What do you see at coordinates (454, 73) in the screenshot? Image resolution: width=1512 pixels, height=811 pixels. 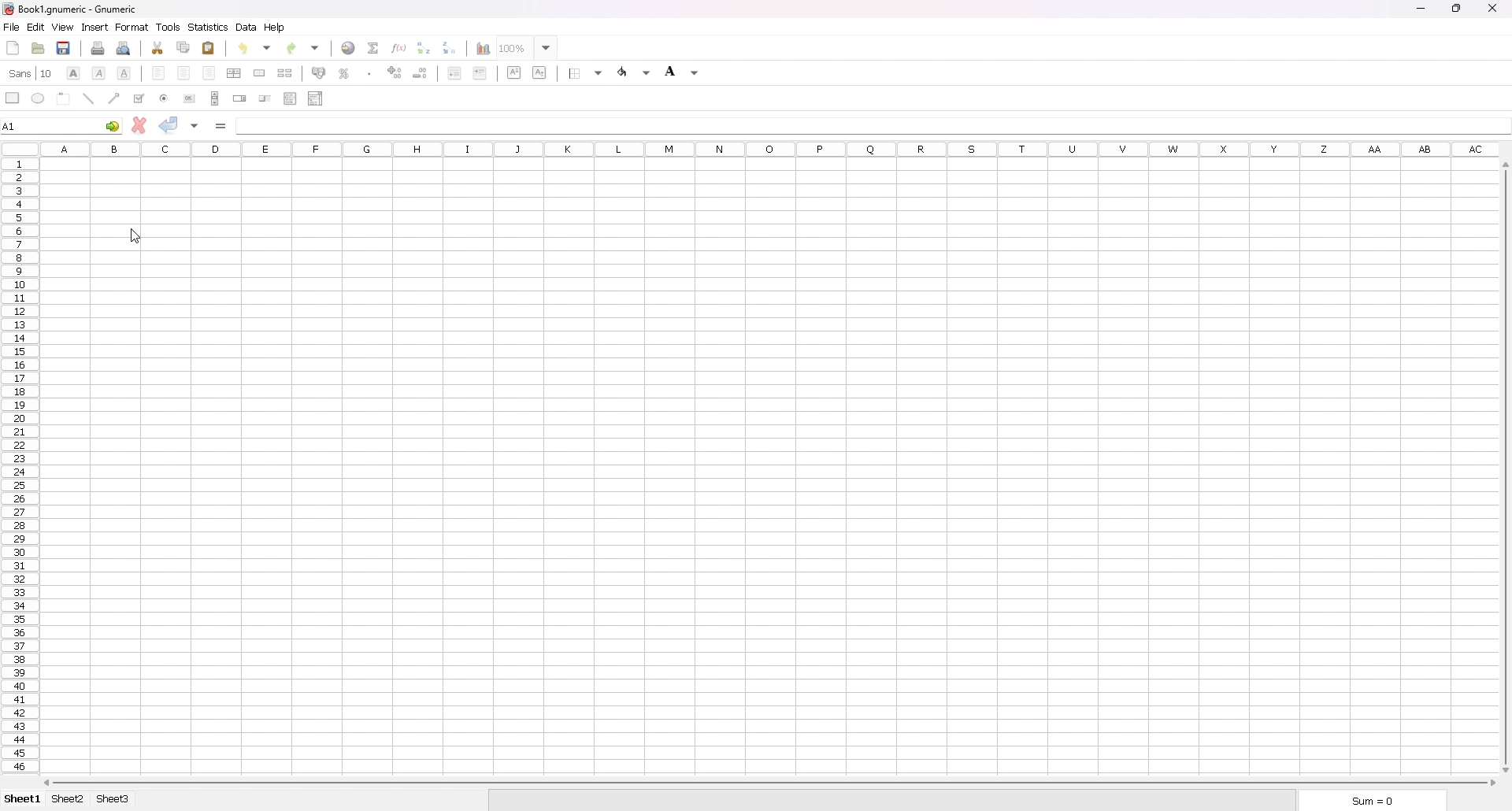 I see `decrease indent` at bounding box center [454, 73].